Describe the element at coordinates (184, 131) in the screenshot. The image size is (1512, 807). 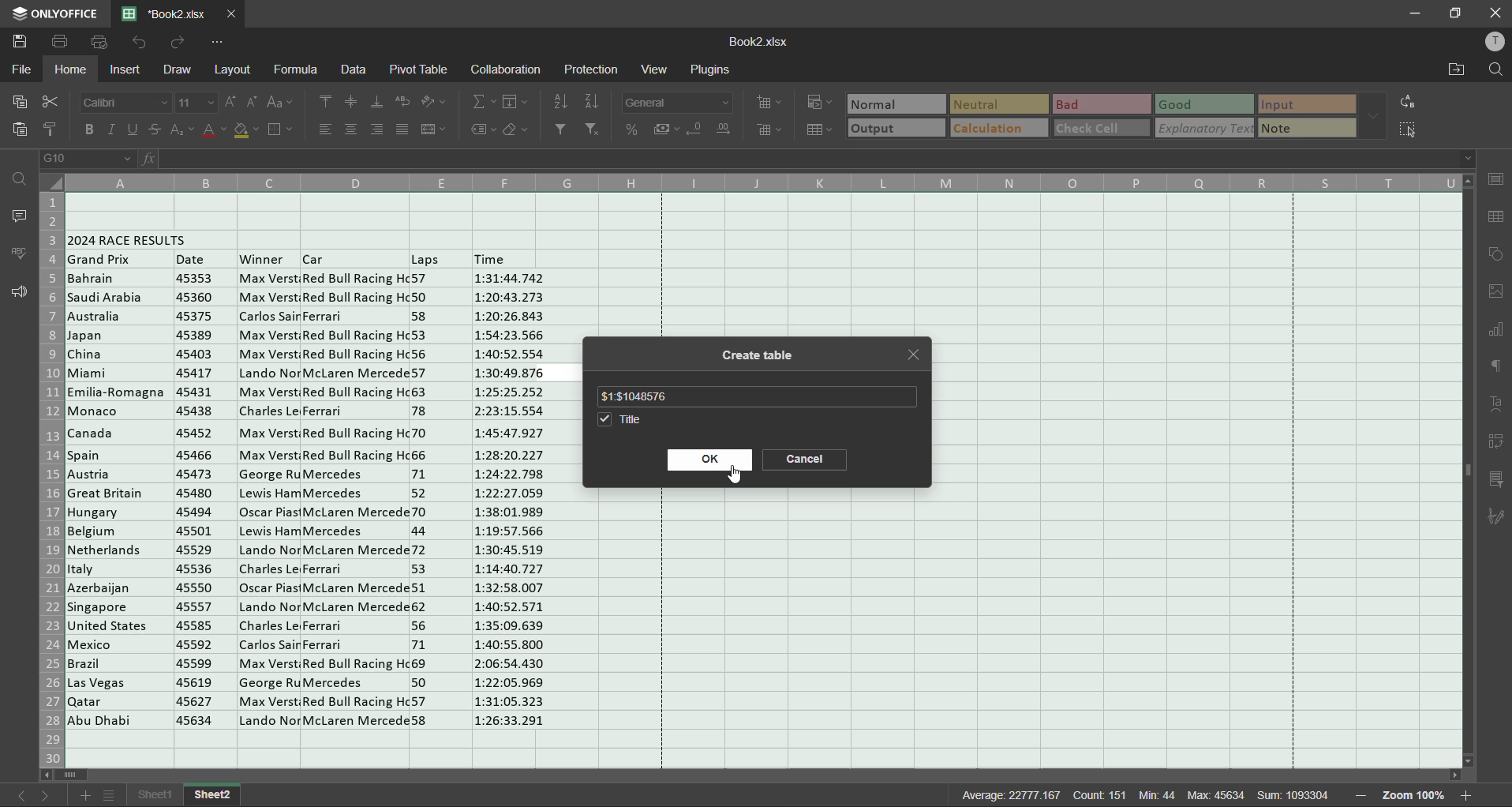
I see `sub/superscript` at that location.